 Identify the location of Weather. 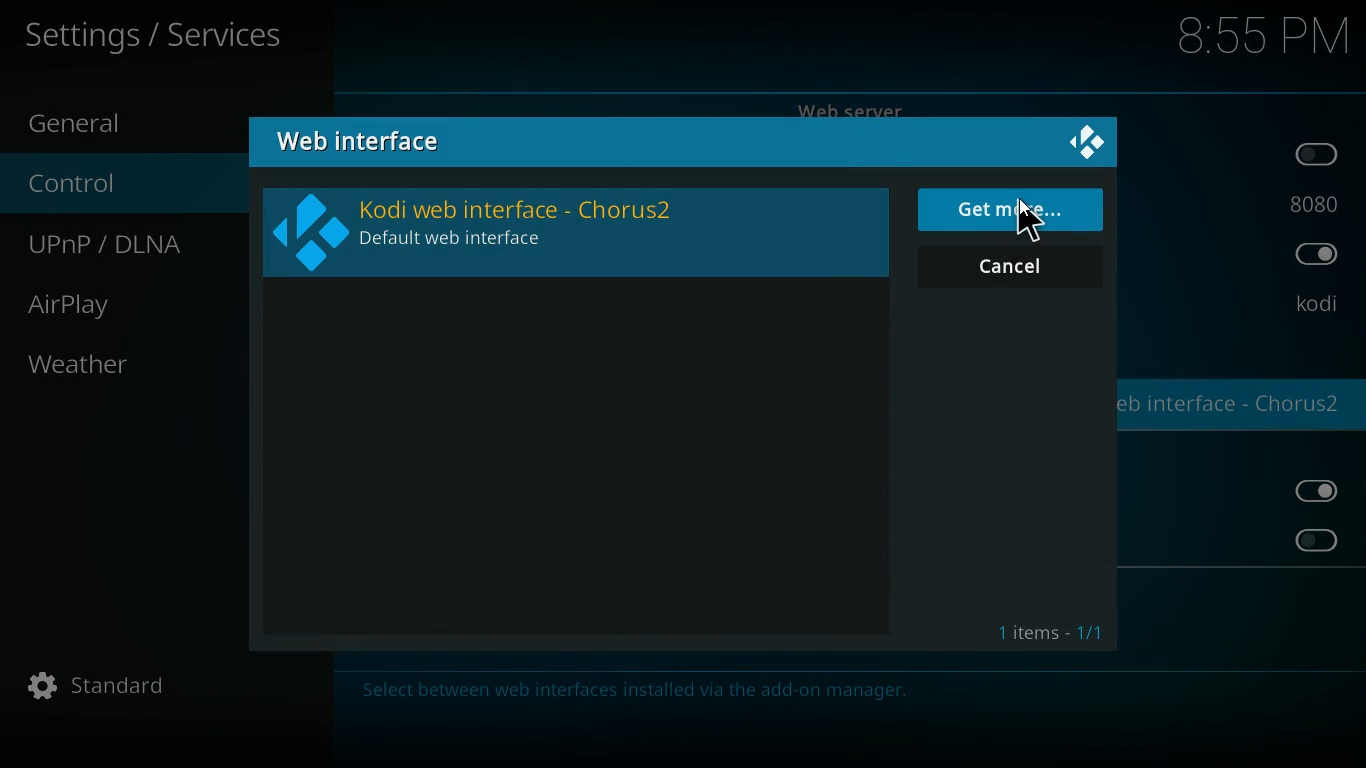
(82, 364).